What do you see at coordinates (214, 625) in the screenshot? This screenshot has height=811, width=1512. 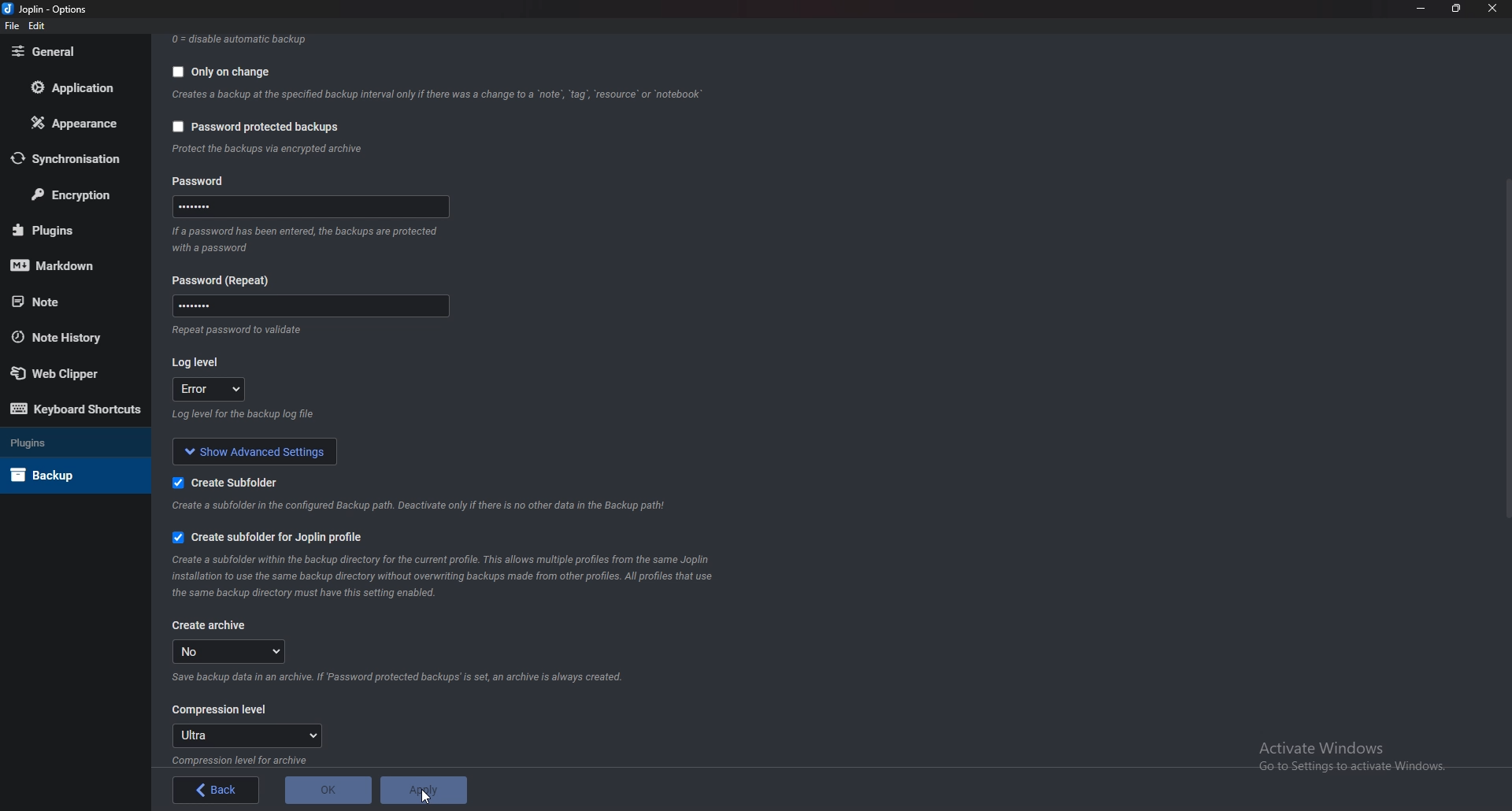 I see `Create archive` at bounding box center [214, 625].